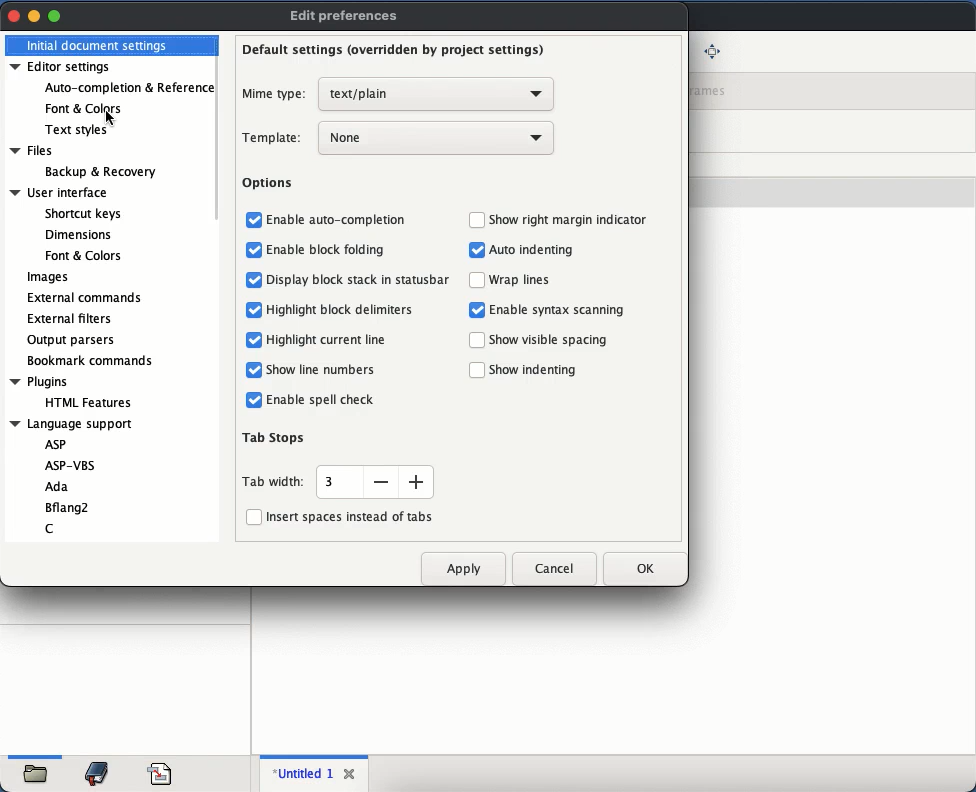  I want to click on Font & Colors, so click(82, 255).